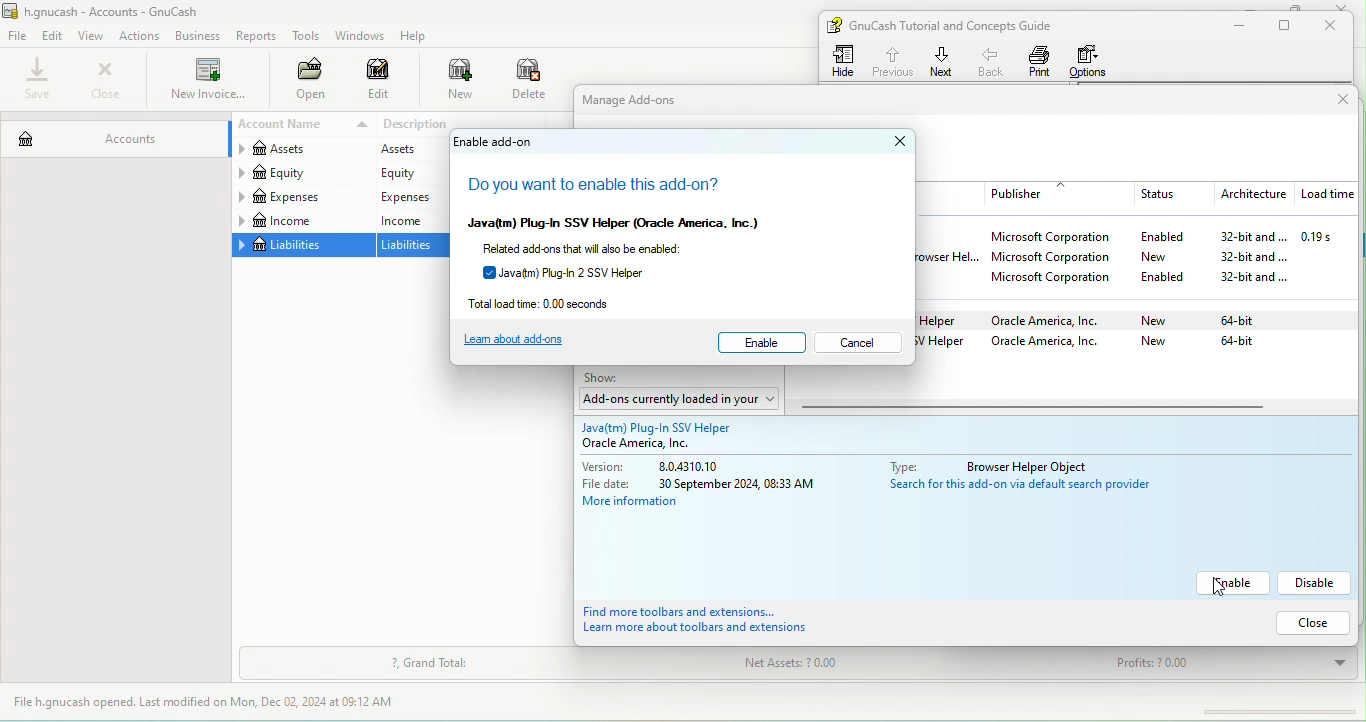 The height and width of the screenshot is (722, 1366). What do you see at coordinates (413, 150) in the screenshot?
I see `assets` at bounding box center [413, 150].